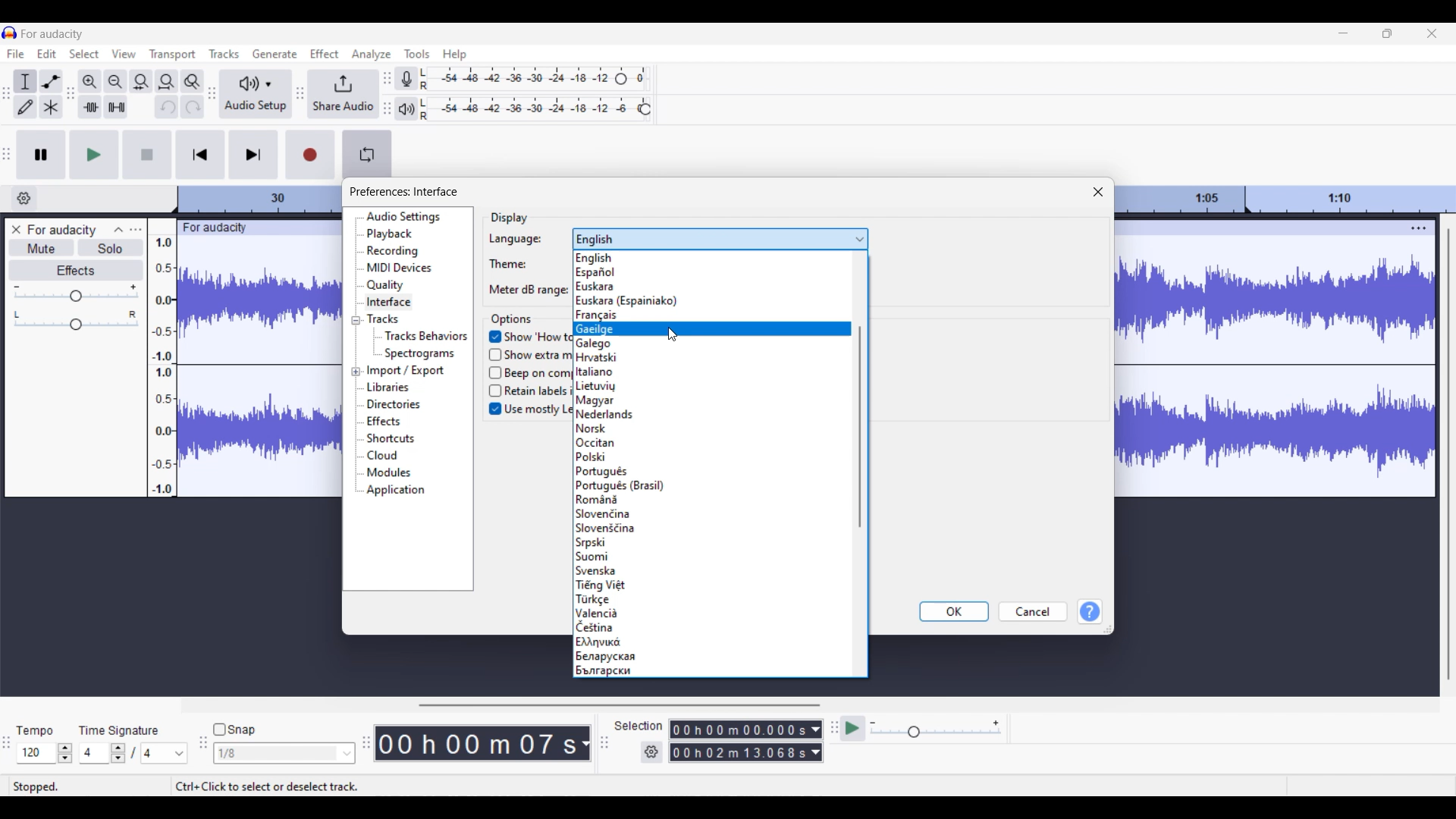  What do you see at coordinates (387, 387) in the screenshot?
I see `Libraries` at bounding box center [387, 387].